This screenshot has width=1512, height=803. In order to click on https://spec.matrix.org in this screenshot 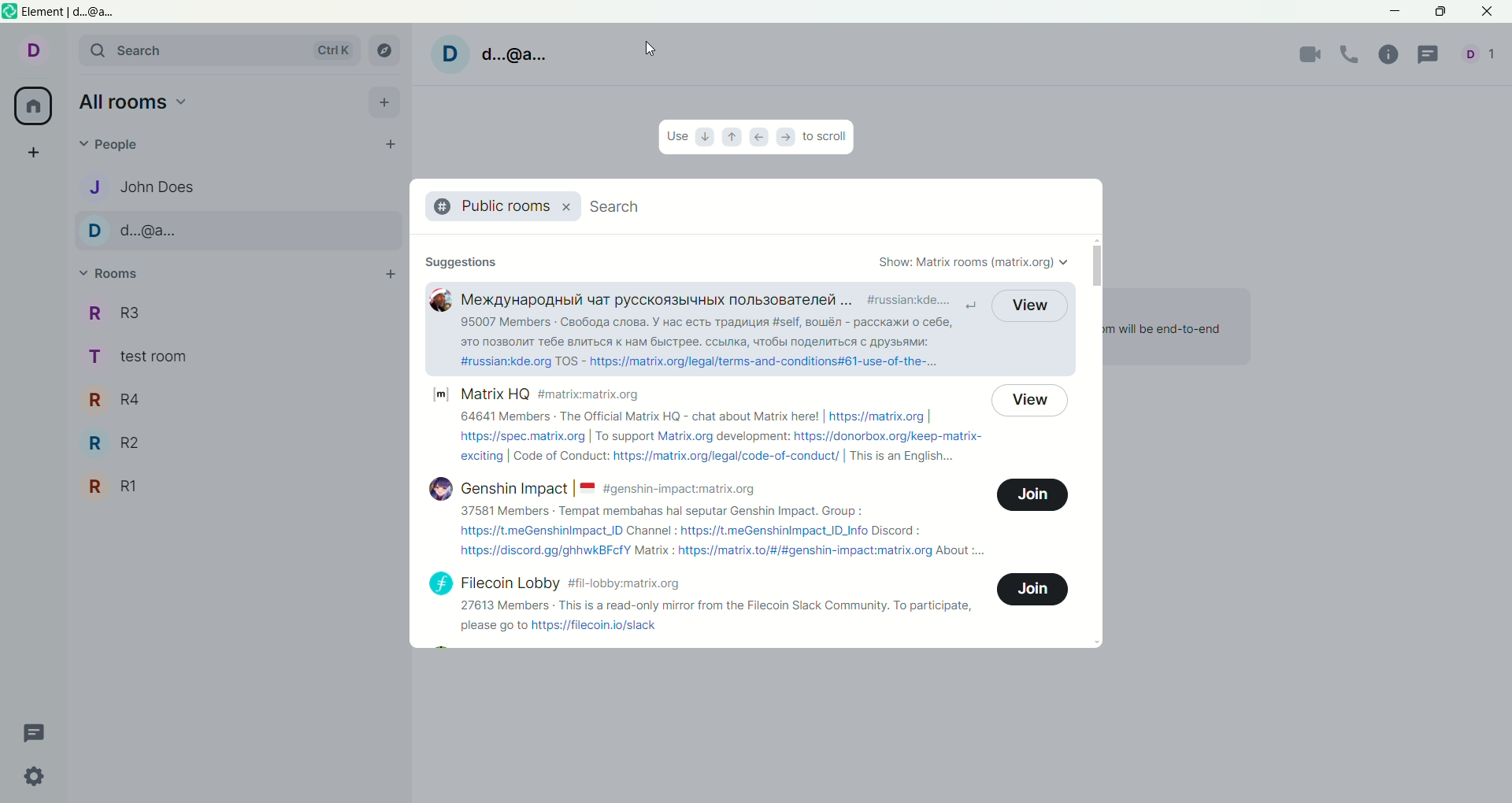, I will do `click(522, 437)`.